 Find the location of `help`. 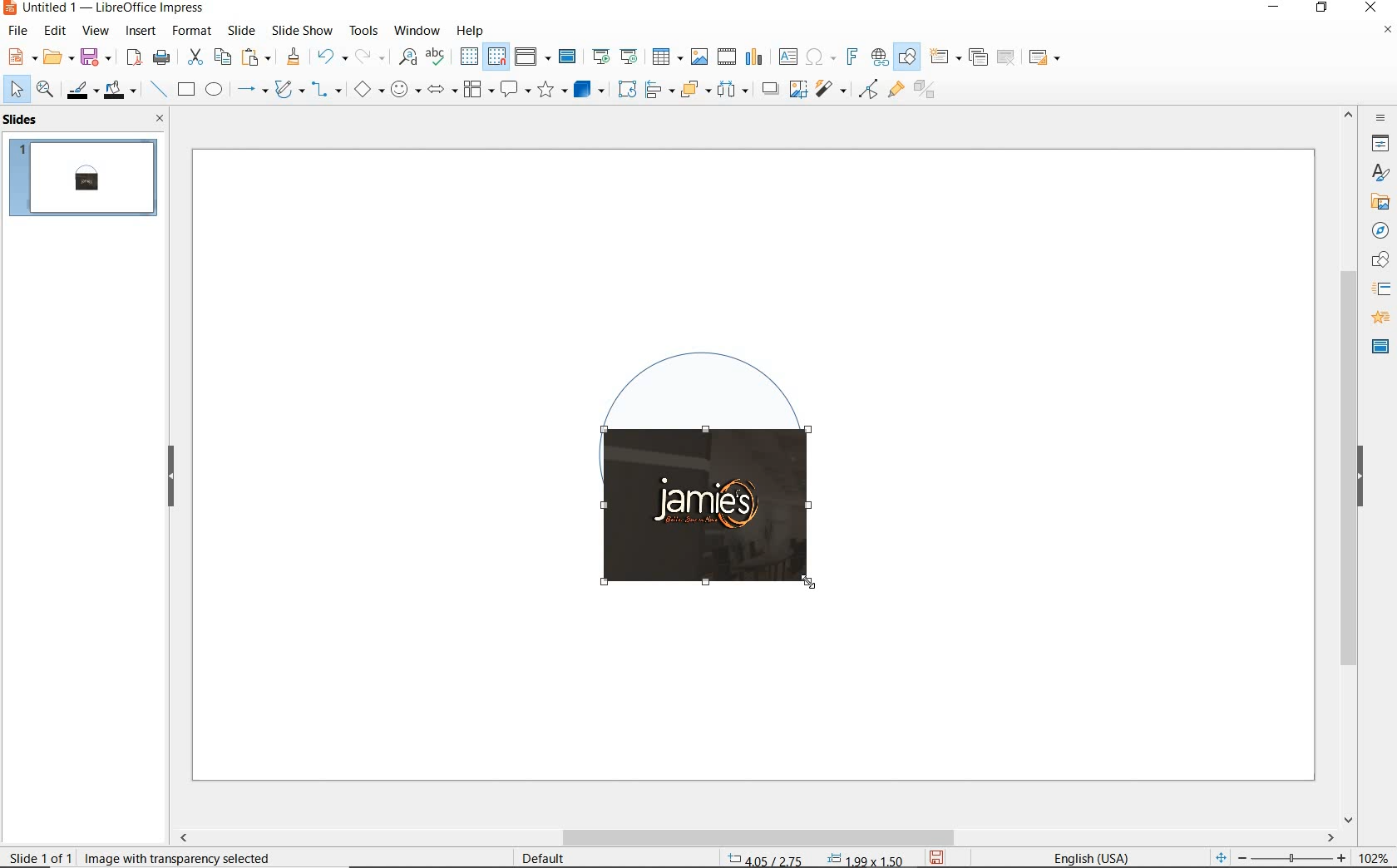

help is located at coordinates (472, 28).